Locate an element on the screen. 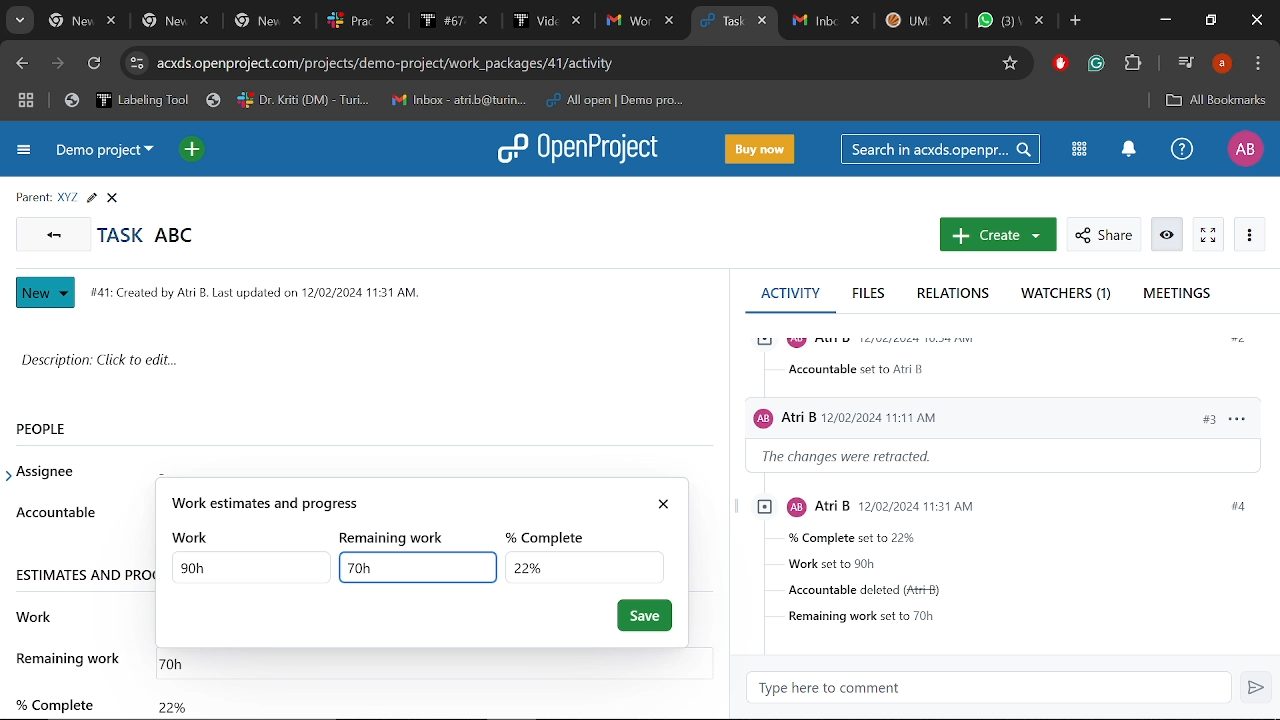 The height and width of the screenshot is (720, 1280). Activate zen mode is located at coordinates (1208, 235).